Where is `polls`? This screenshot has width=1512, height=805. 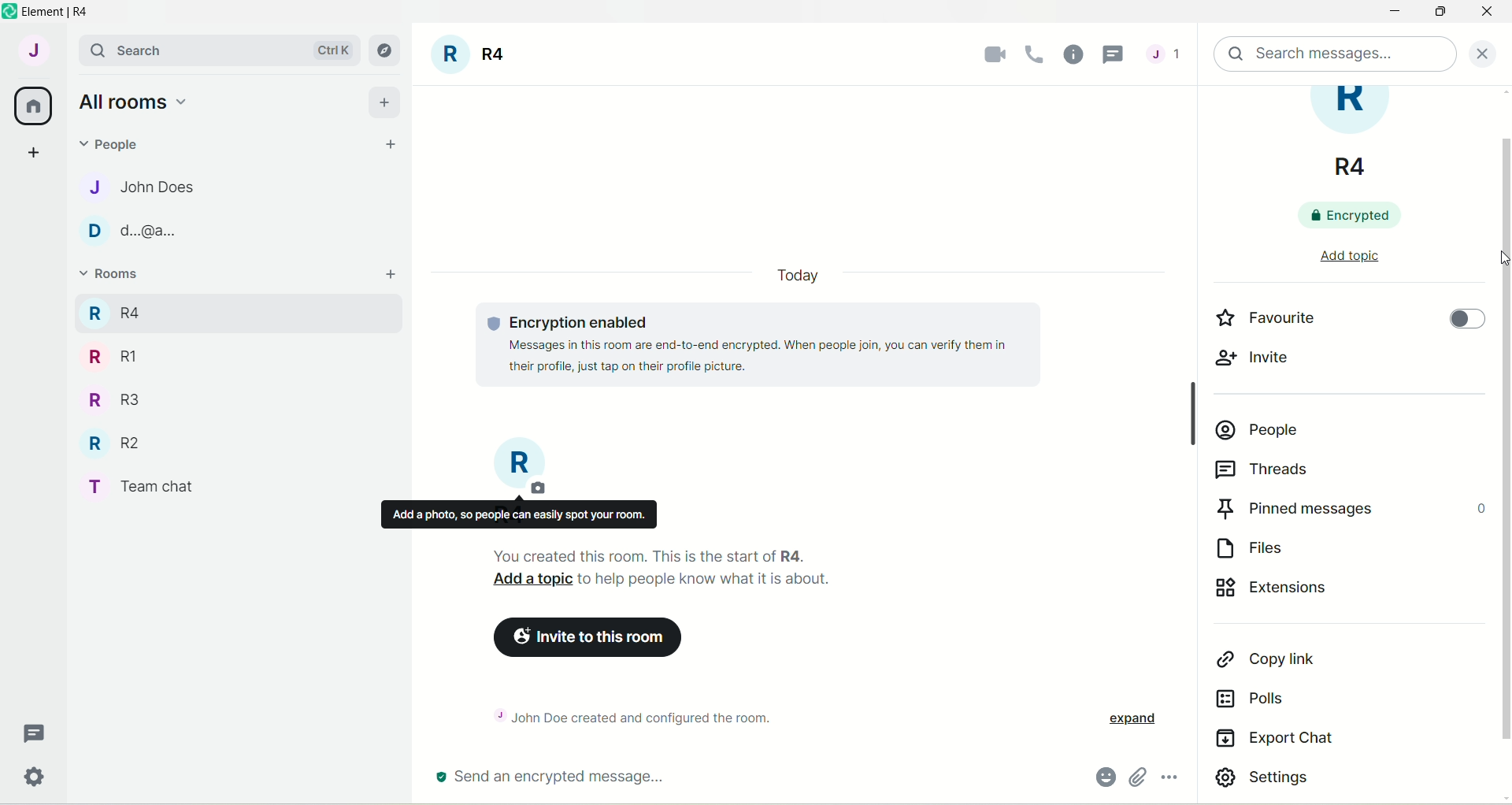 polls is located at coordinates (1259, 699).